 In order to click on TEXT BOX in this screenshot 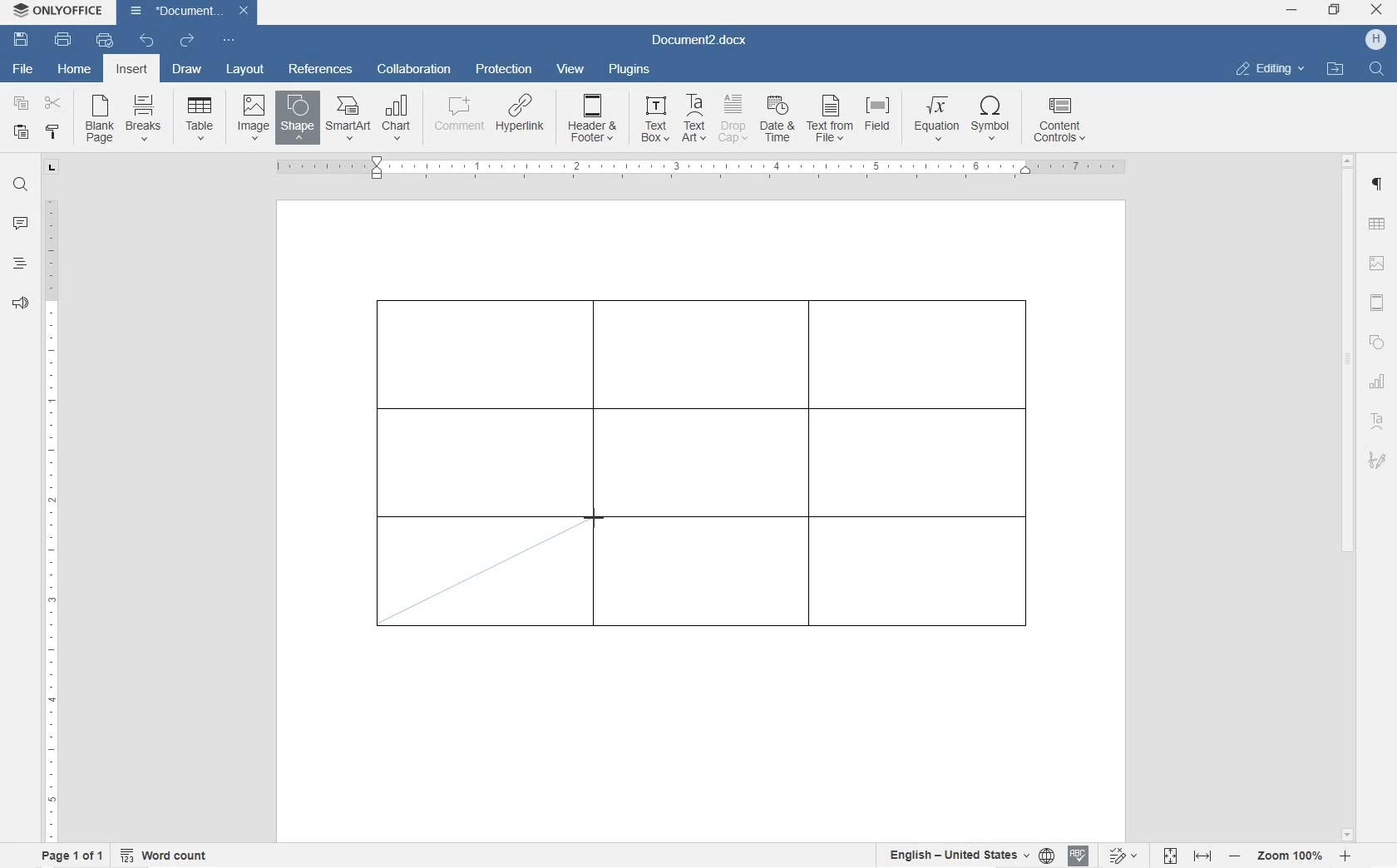, I will do `click(653, 121)`.